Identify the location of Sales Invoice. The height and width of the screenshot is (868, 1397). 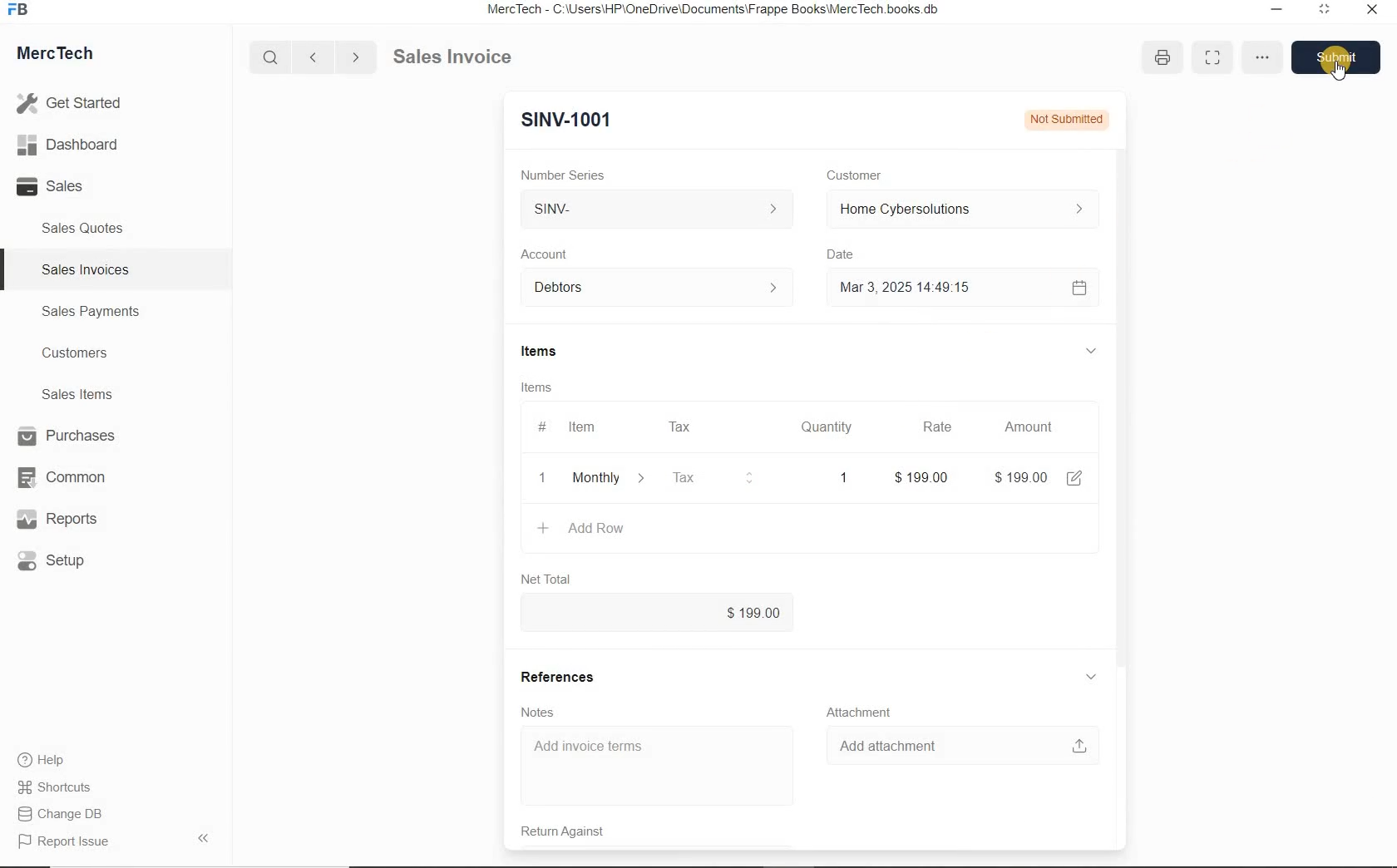
(454, 58).